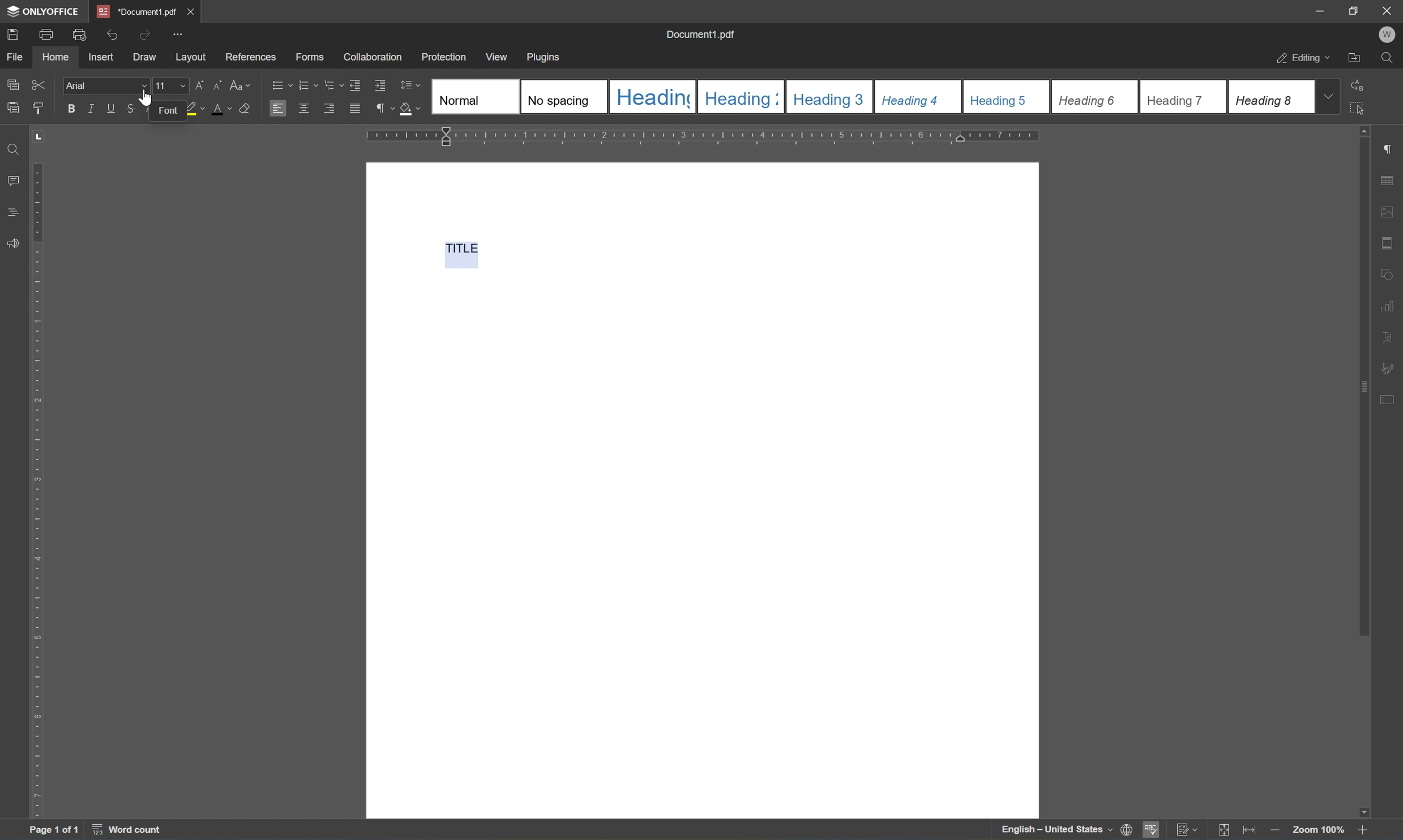  Describe the element at coordinates (198, 84) in the screenshot. I see `Increment font size` at that location.